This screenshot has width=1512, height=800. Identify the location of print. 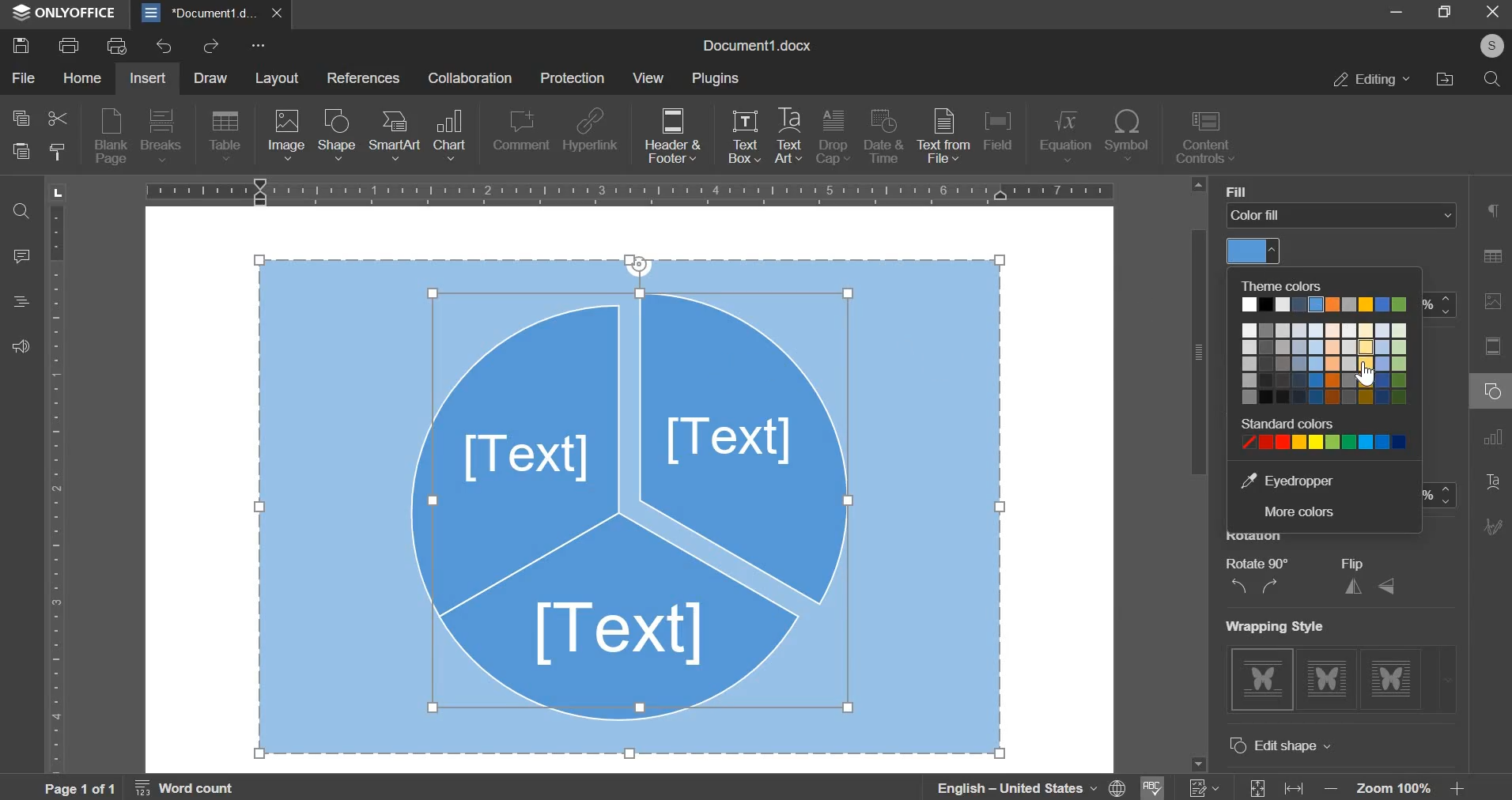
(68, 44).